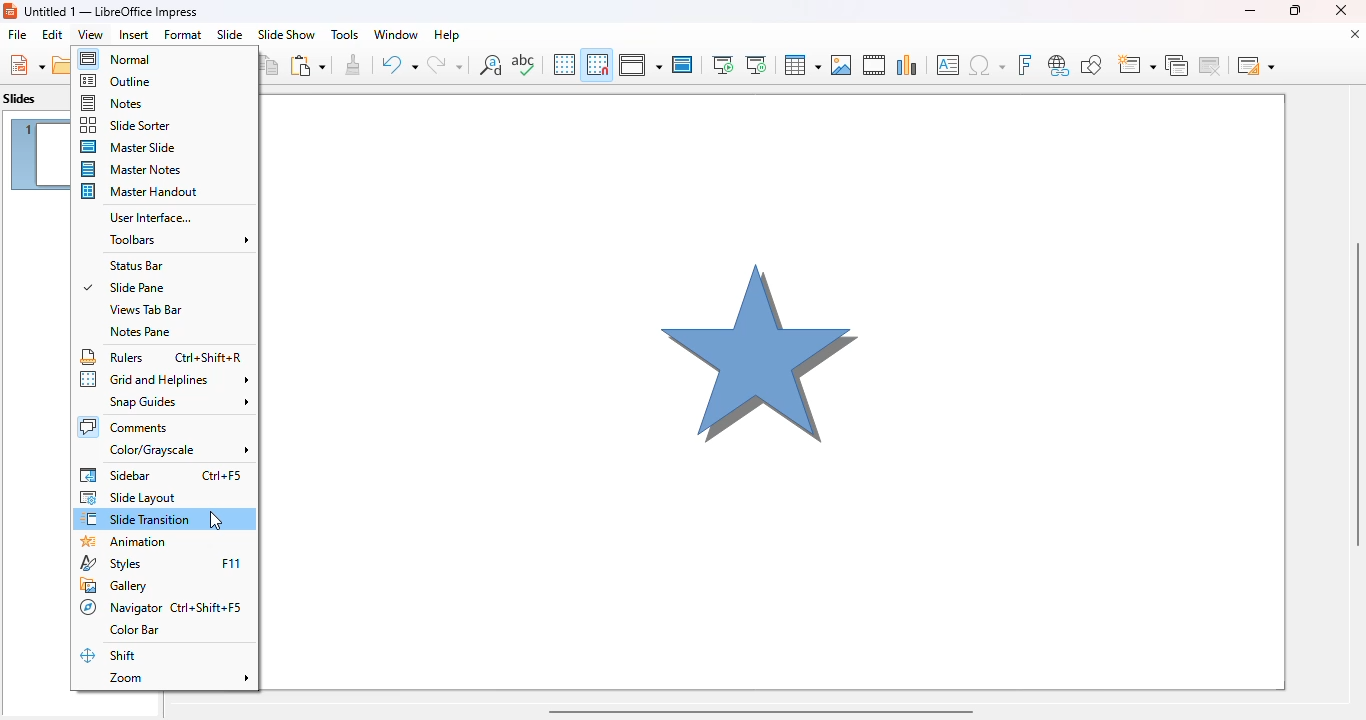 Image resolution: width=1366 pixels, height=720 pixels. What do you see at coordinates (9, 12) in the screenshot?
I see `LibreOffice logo` at bounding box center [9, 12].